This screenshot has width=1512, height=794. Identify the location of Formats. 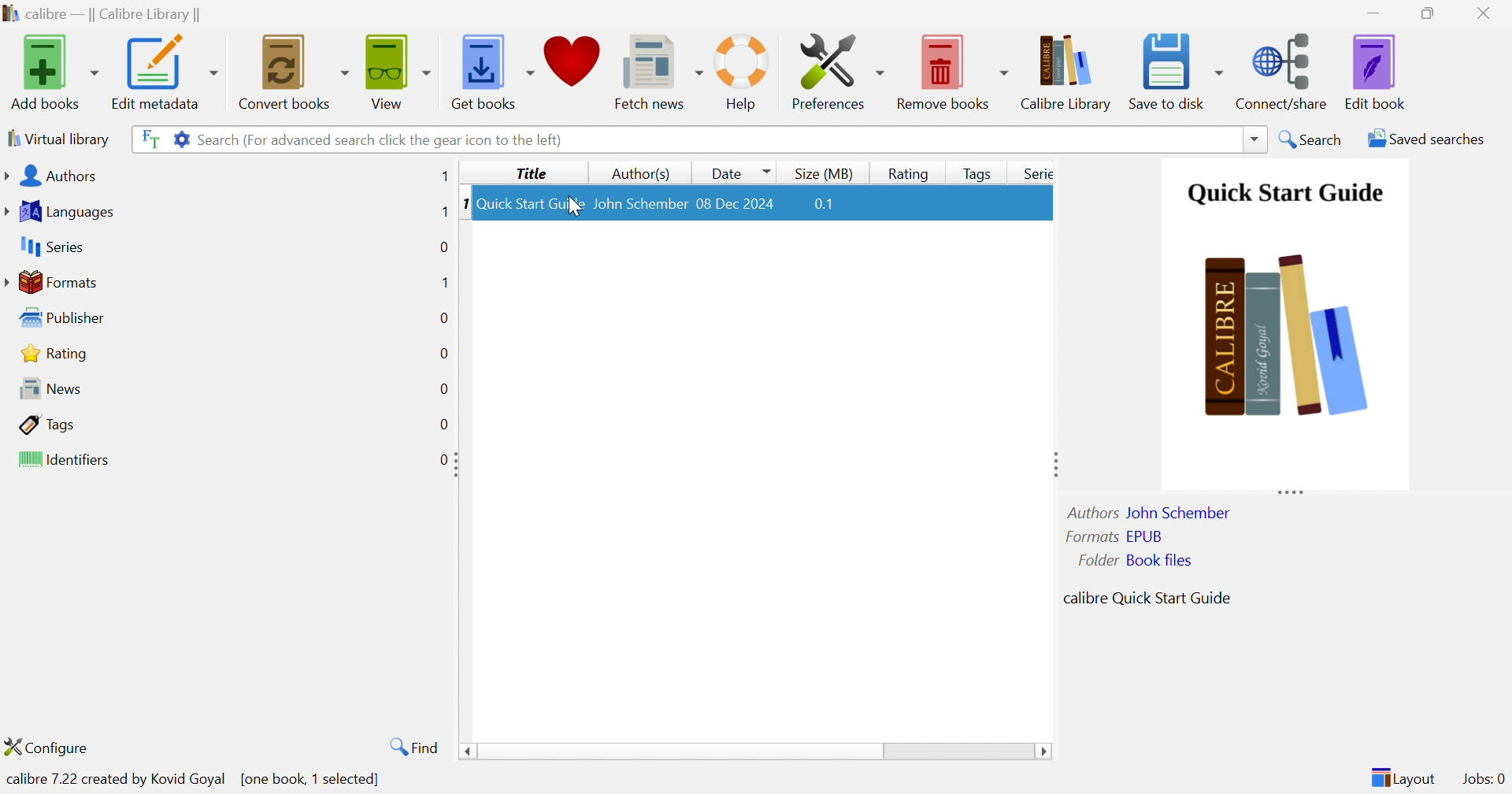
(52, 280).